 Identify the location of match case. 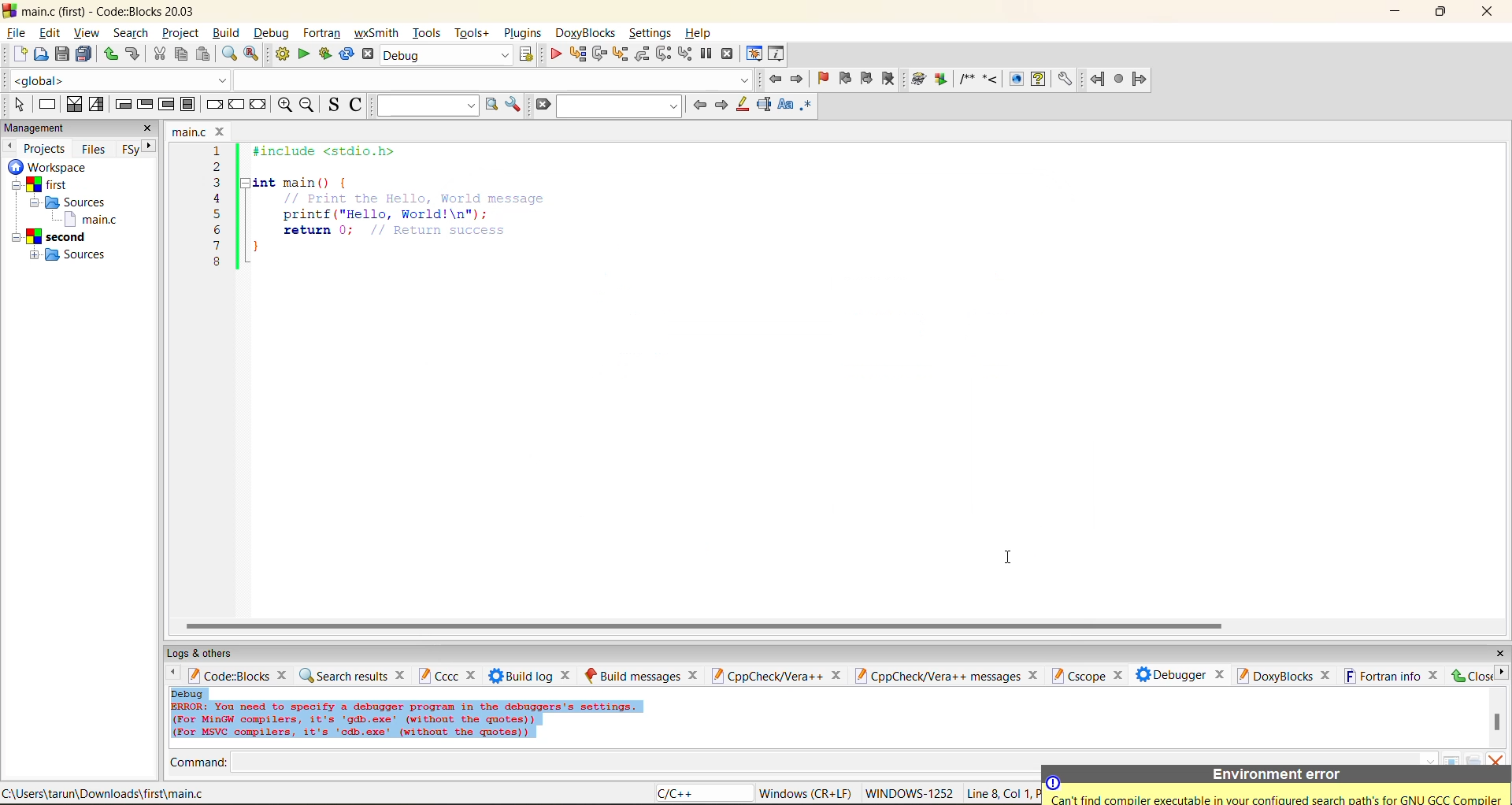
(784, 106).